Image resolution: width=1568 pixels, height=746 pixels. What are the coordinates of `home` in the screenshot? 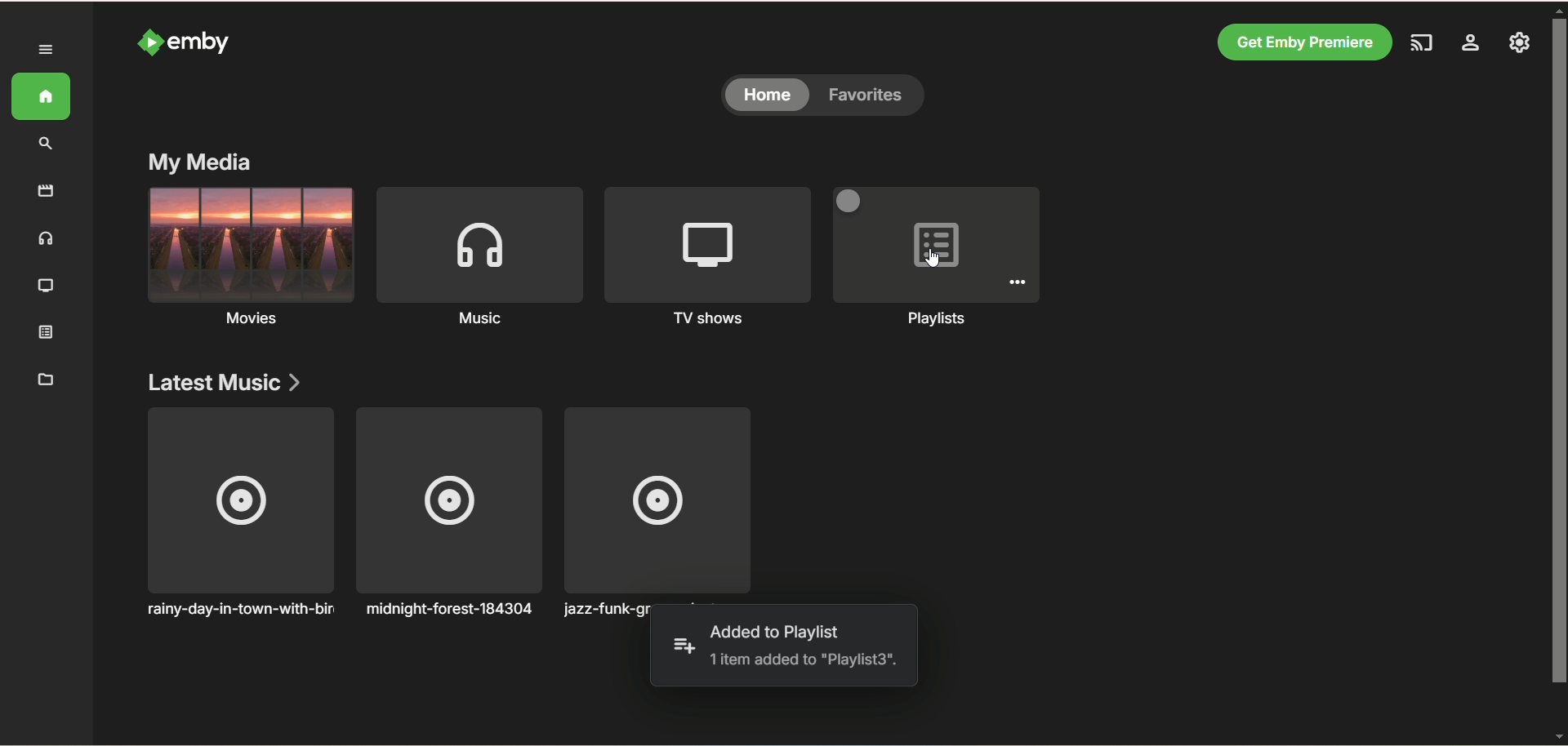 It's located at (767, 96).